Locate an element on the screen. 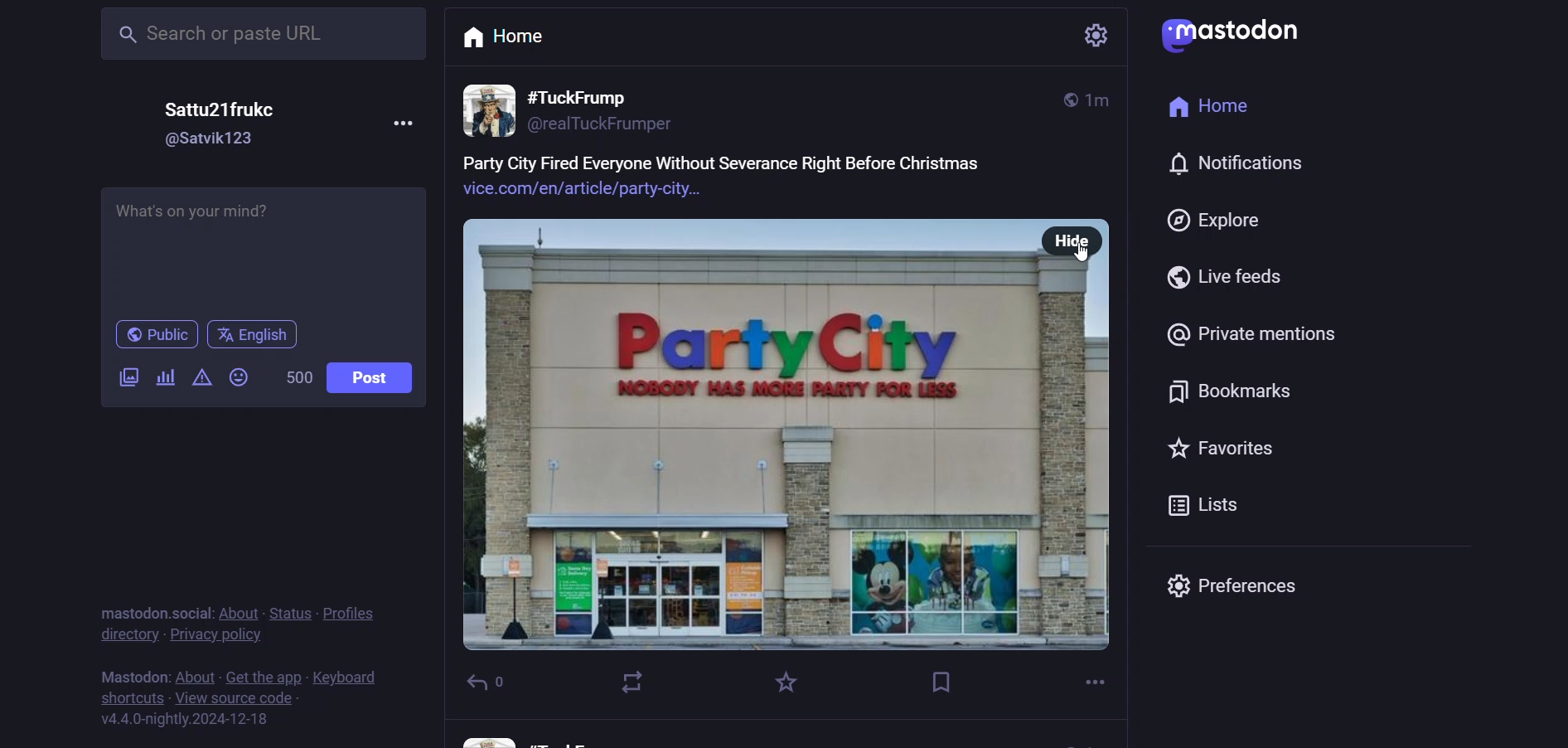 This screenshot has height=748, width=1568. privacy policy is located at coordinates (227, 635).